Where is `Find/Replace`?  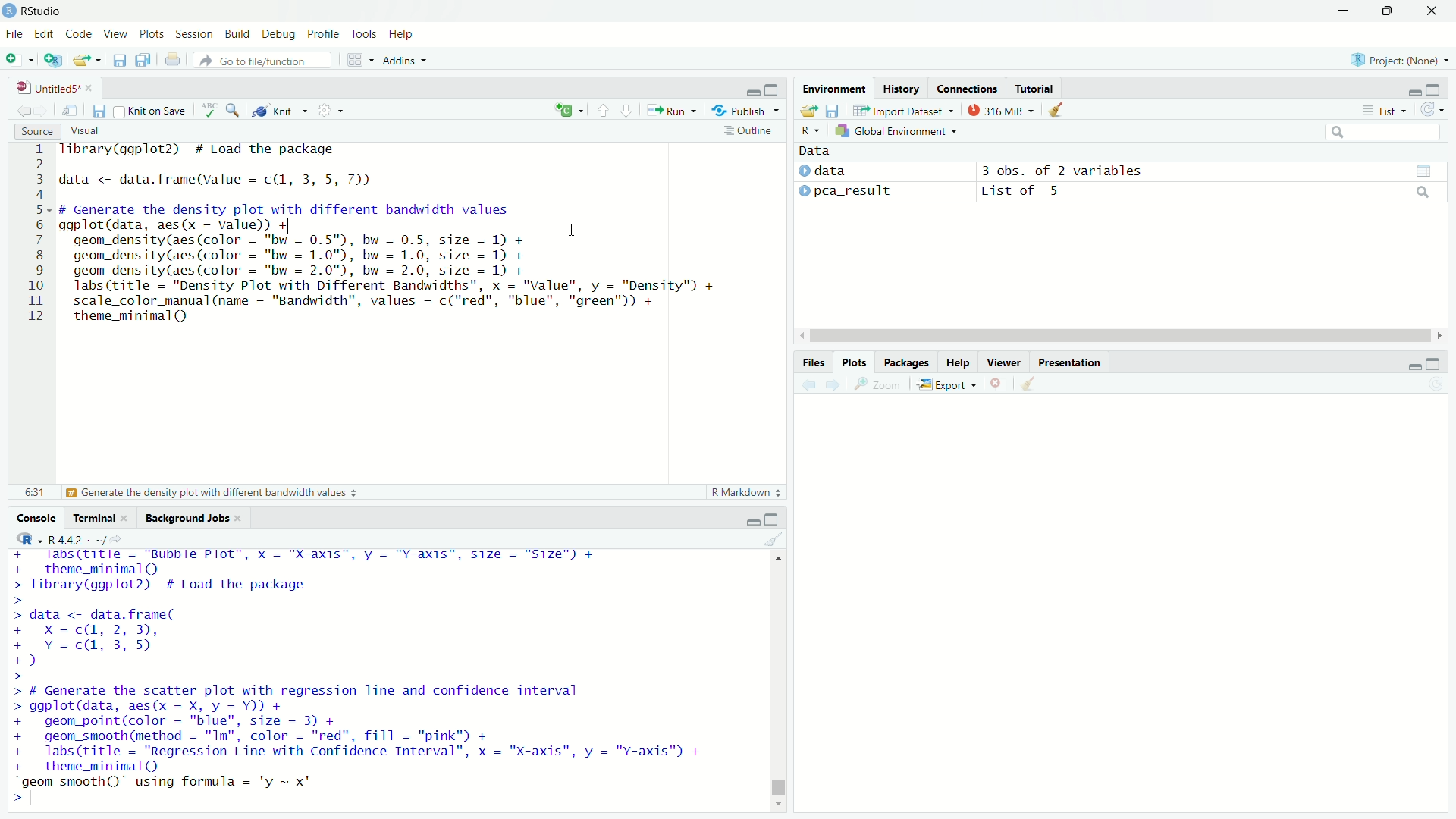 Find/Replace is located at coordinates (233, 109).